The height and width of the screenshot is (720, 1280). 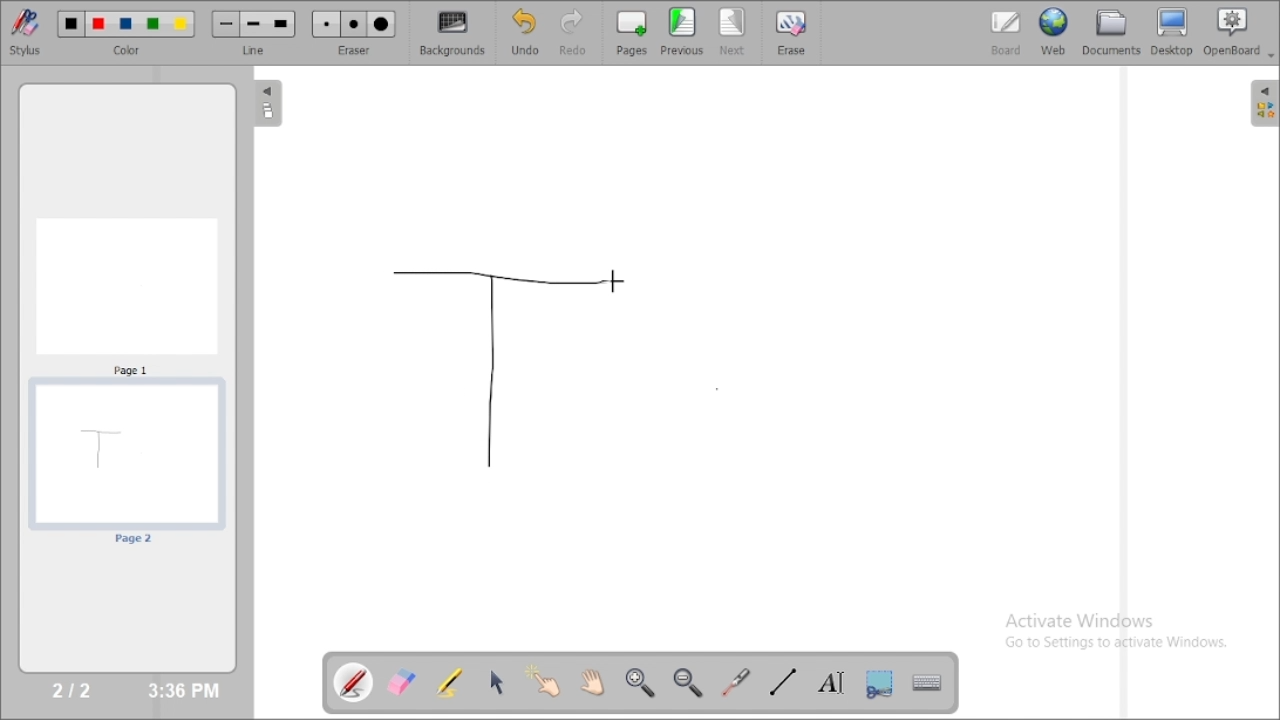 I want to click on Small eraser, so click(x=326, y=25).